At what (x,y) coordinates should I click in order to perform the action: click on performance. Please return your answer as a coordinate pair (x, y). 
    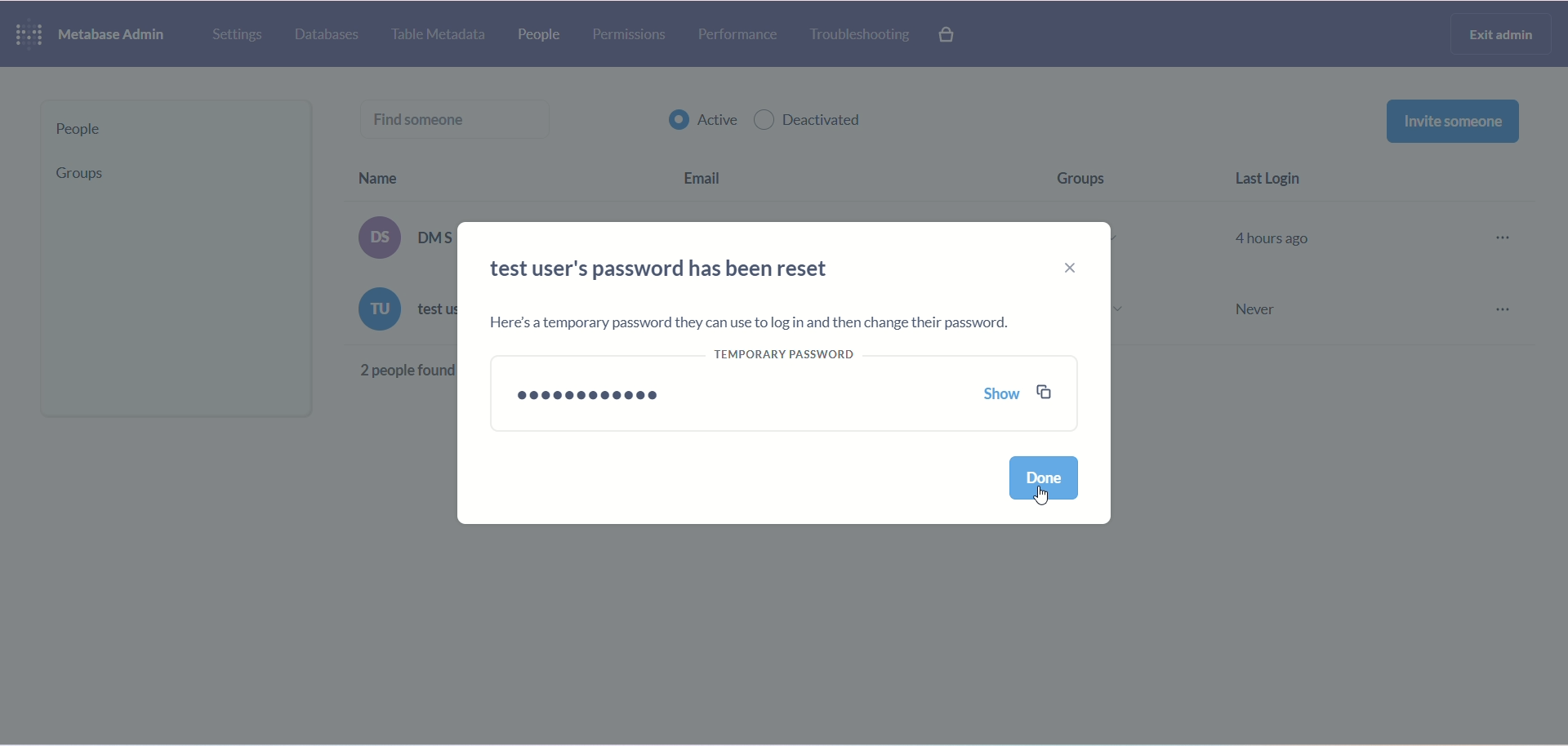
    Looking at the image, I should click on (741, 37).